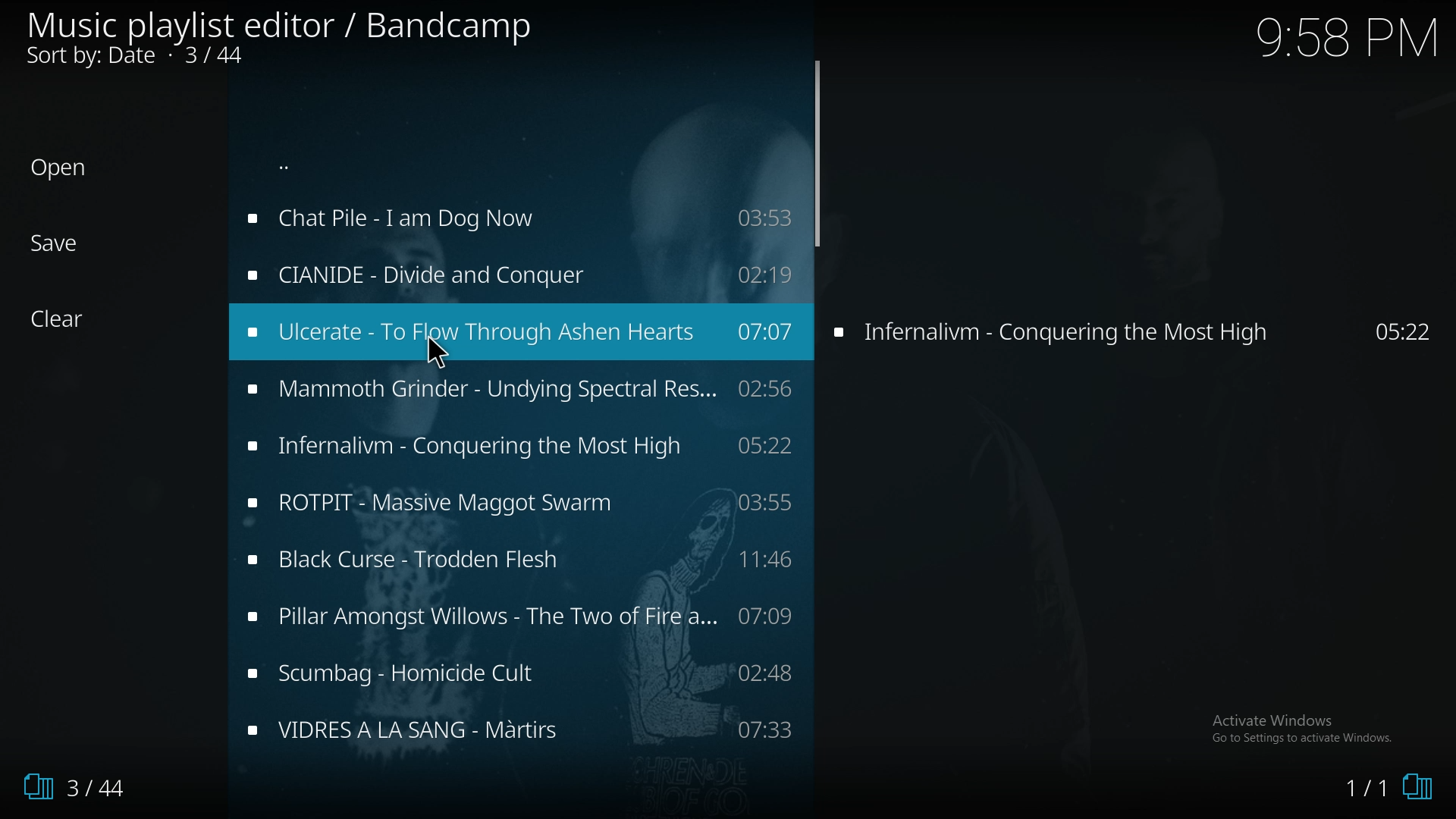 The image size is (1456, 819). What do you see at coordinates (59, 168) in the screenshot?
I see `Open` at bounding box center [59, 168].